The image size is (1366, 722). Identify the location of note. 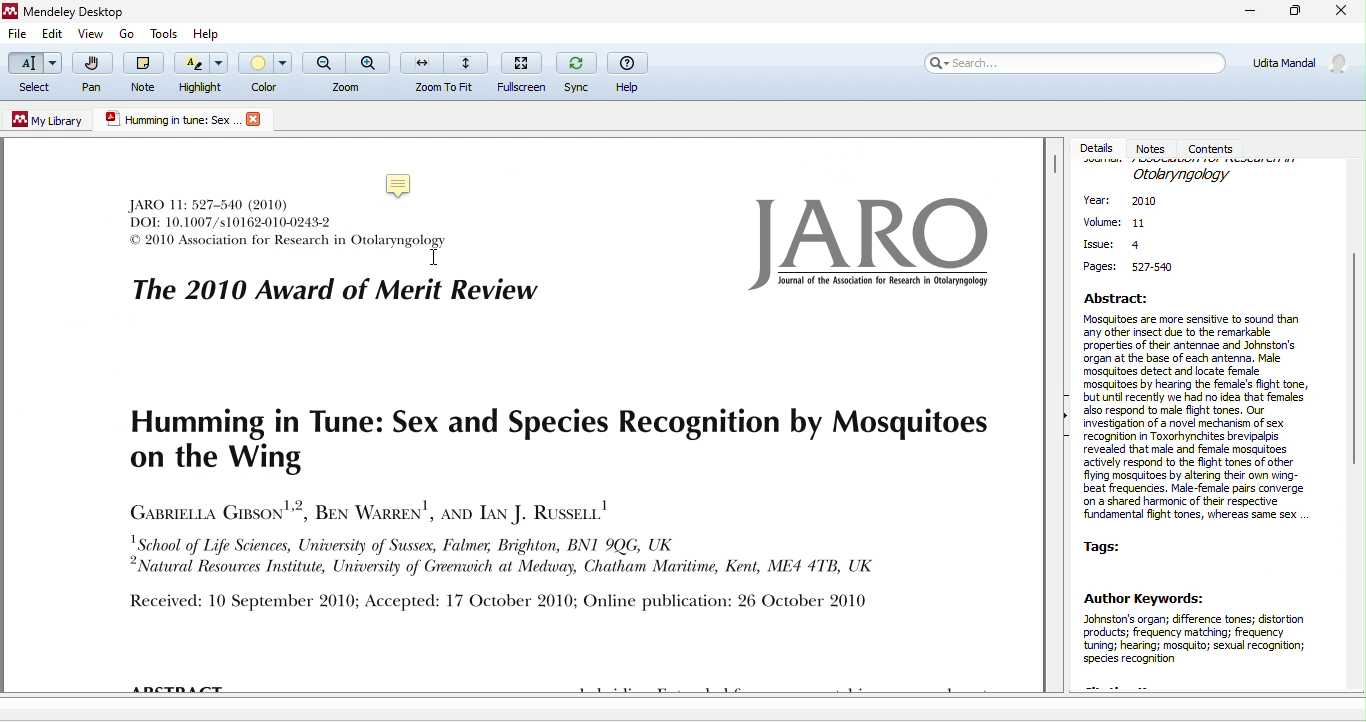
(403, 183).